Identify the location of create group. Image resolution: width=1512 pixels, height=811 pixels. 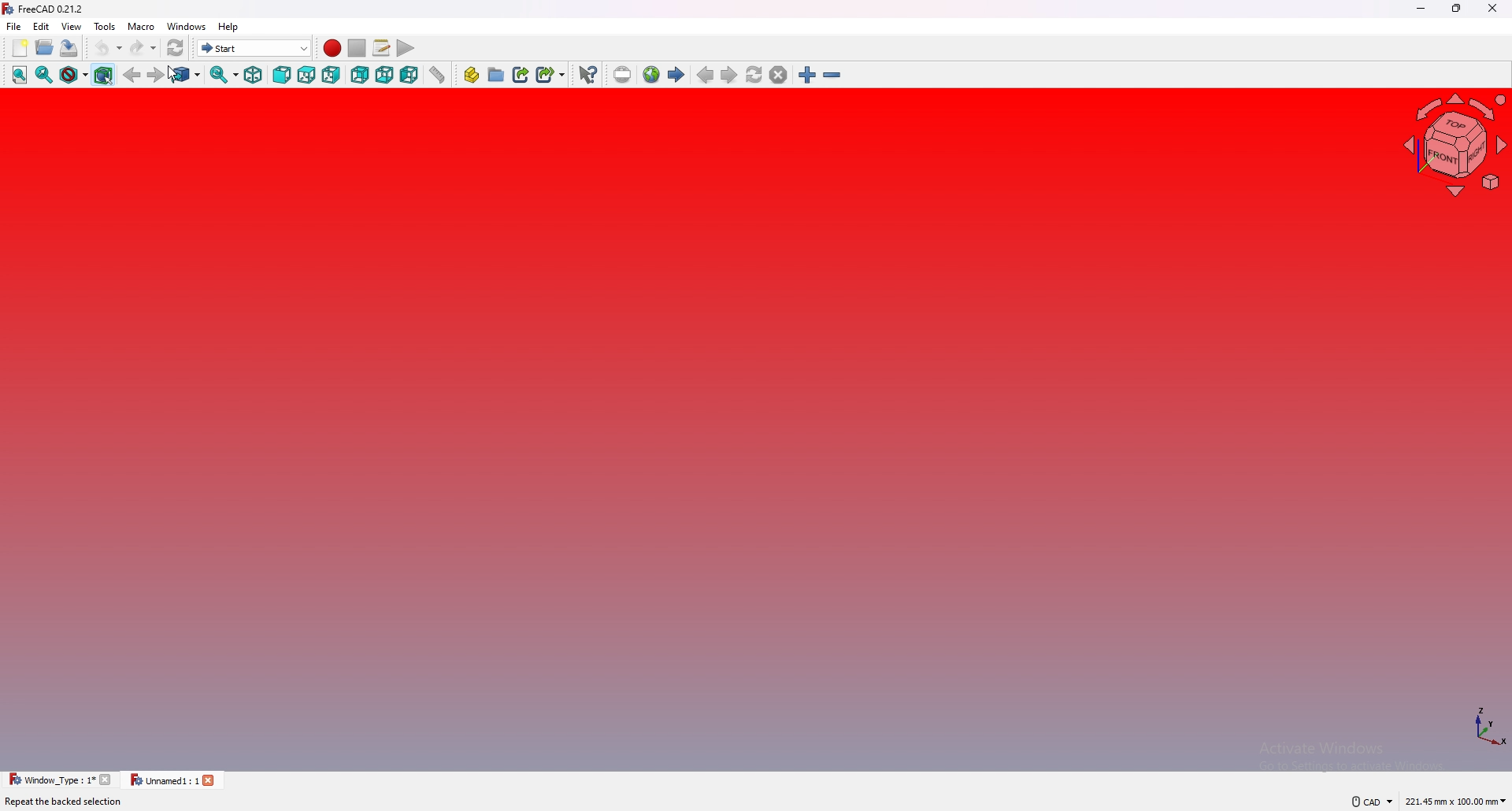
(497, 74).